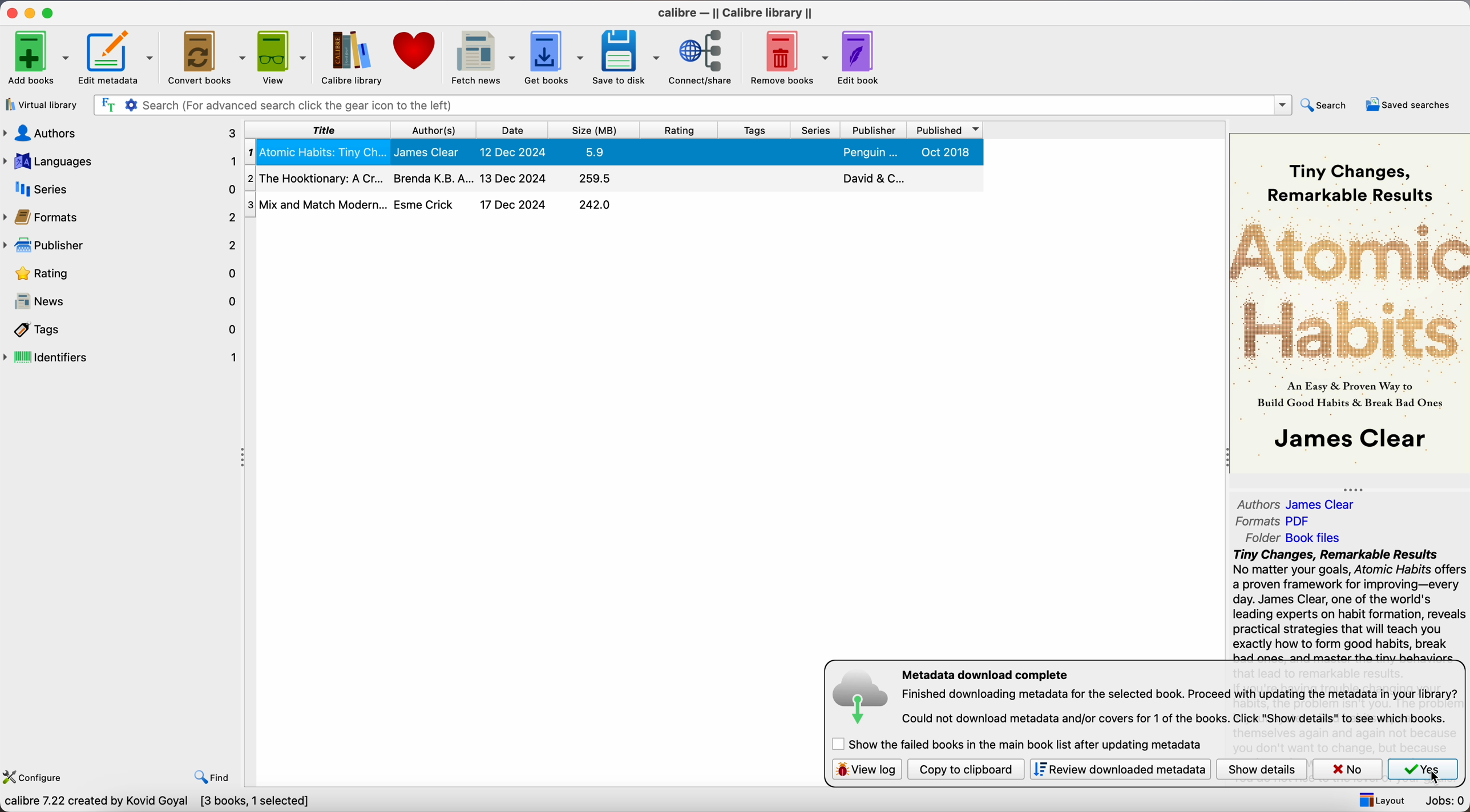  I want to click on David & C..., so click(871, 178).